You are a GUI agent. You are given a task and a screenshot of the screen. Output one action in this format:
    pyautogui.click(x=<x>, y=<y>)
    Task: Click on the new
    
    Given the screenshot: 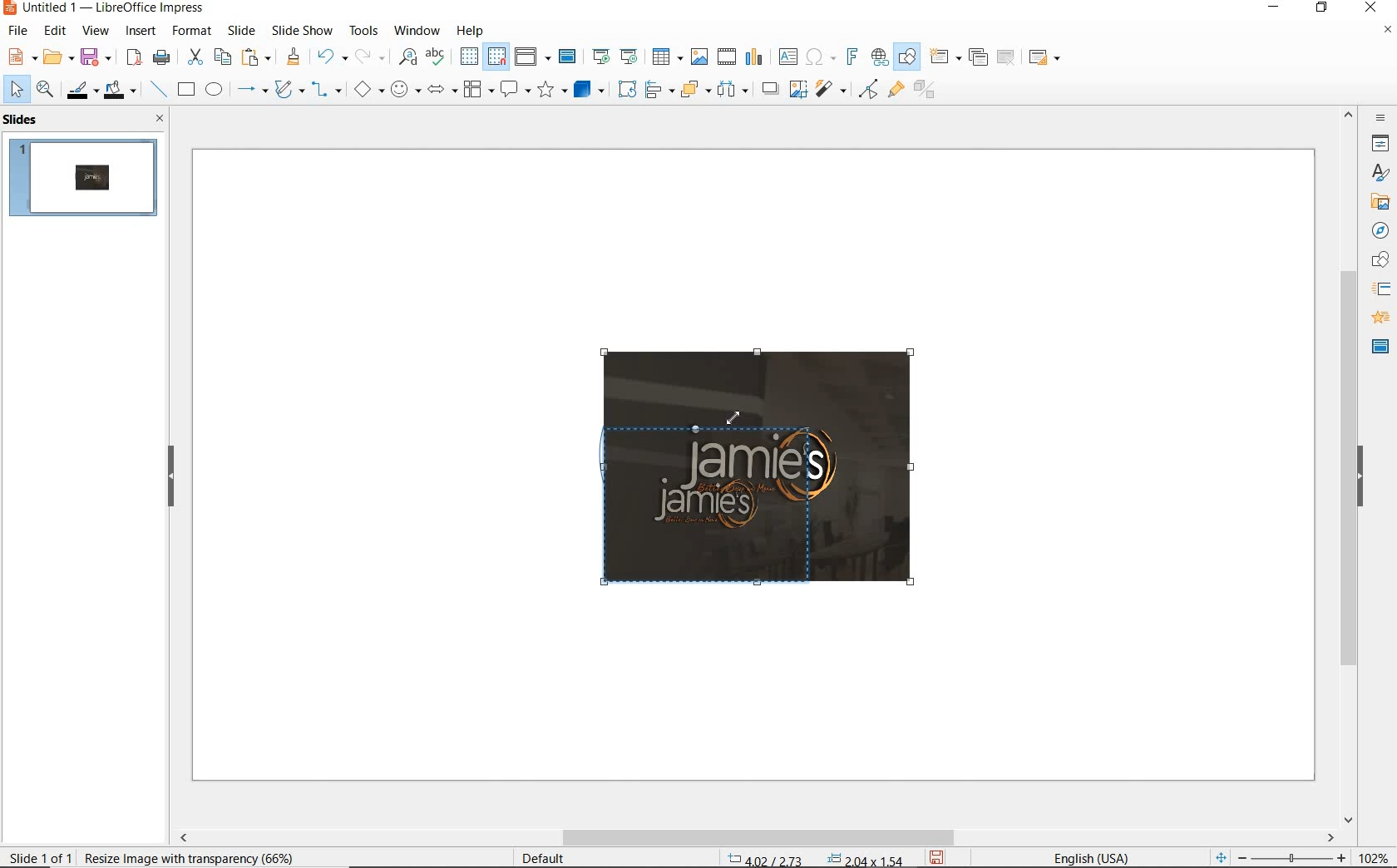 What is the action you would take?
    pyautogui.click(x=20, y=56)
    